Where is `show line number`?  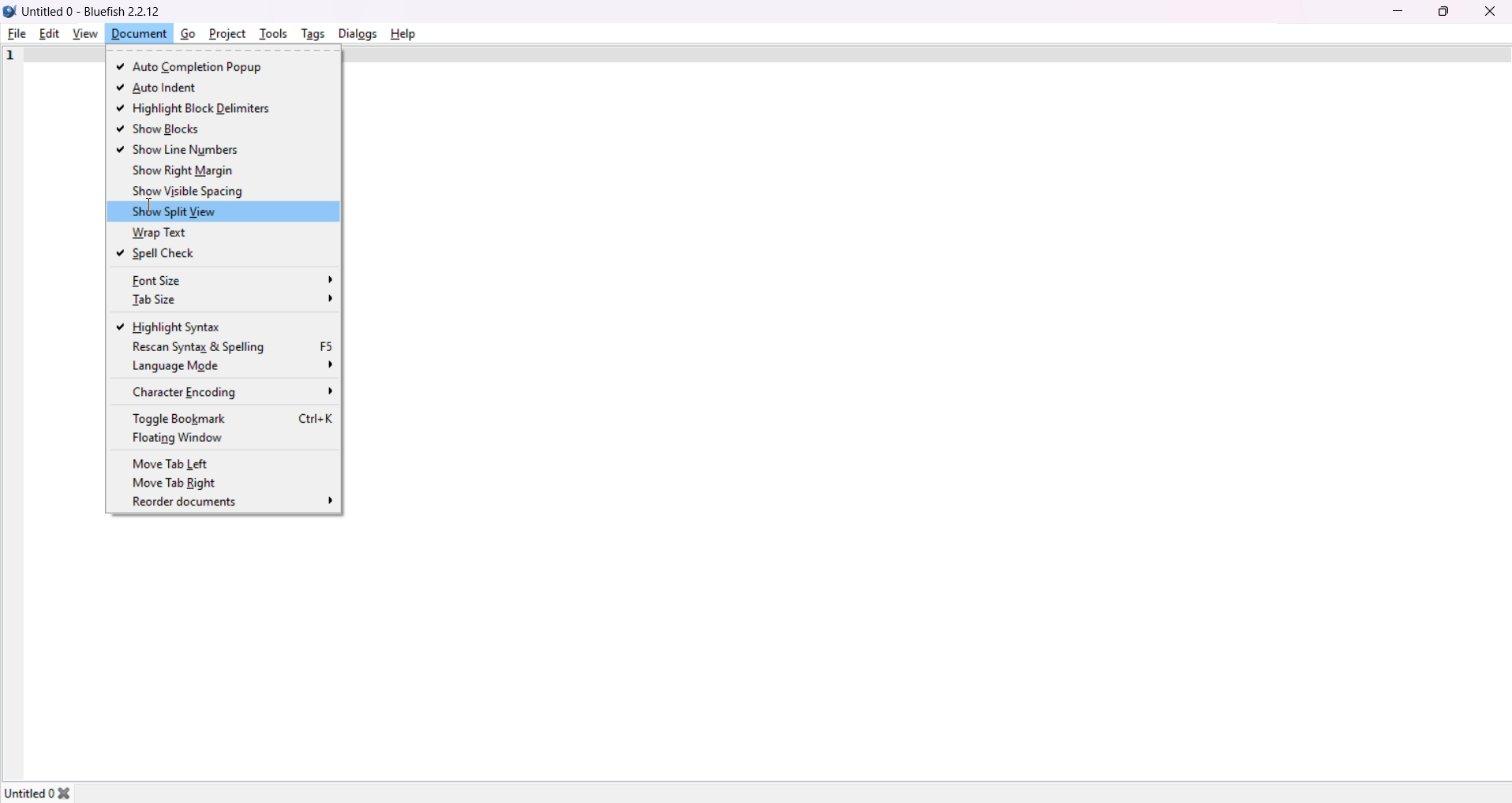 show line number is located at coordinates (182, 149).